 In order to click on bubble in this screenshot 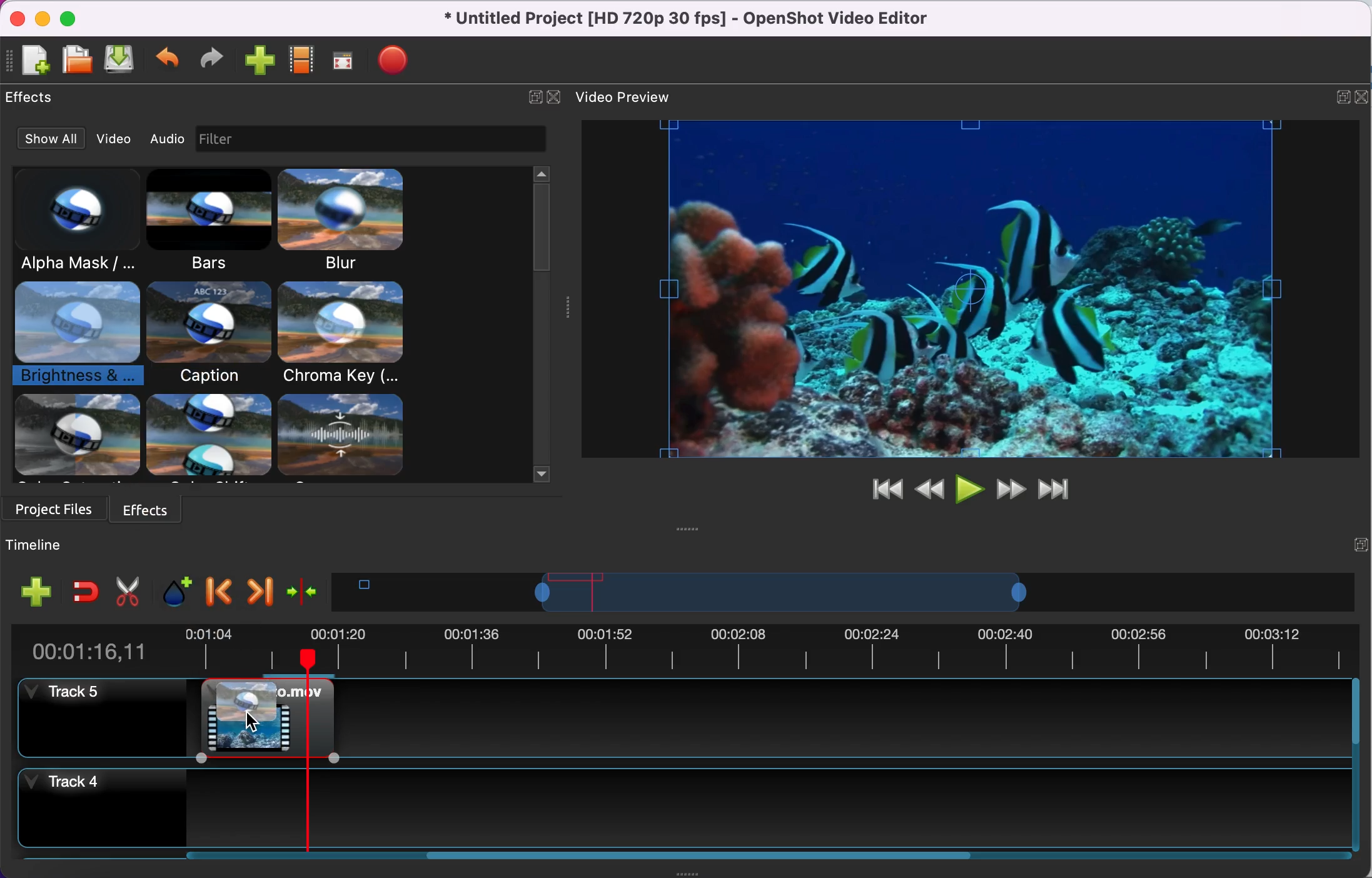, I will do `click(208, 333)`.